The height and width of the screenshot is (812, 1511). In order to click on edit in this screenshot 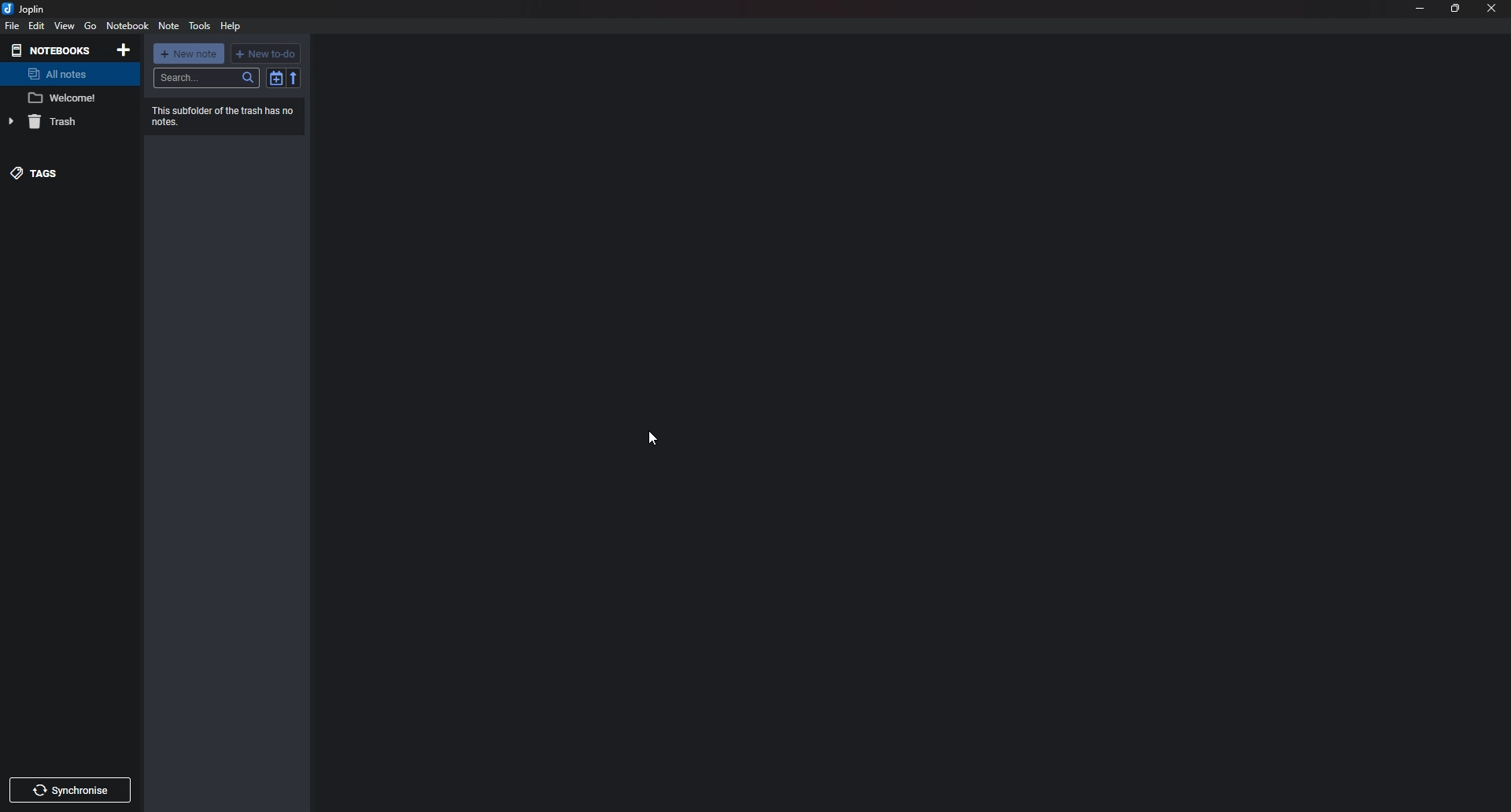, I will do `click(38, 26)`.